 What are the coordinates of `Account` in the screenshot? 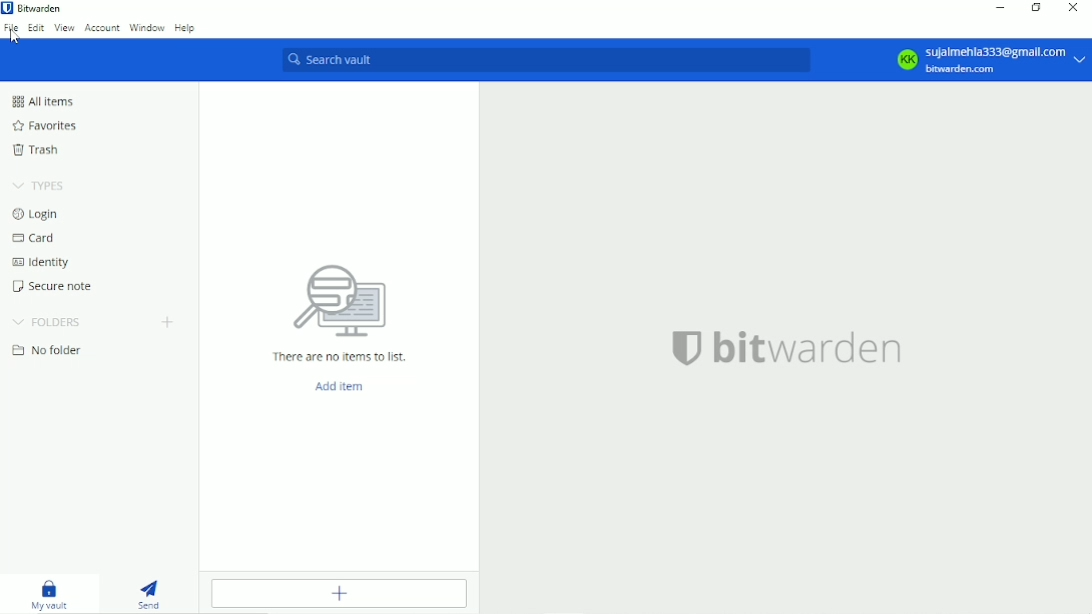 It's located at (991, 61).